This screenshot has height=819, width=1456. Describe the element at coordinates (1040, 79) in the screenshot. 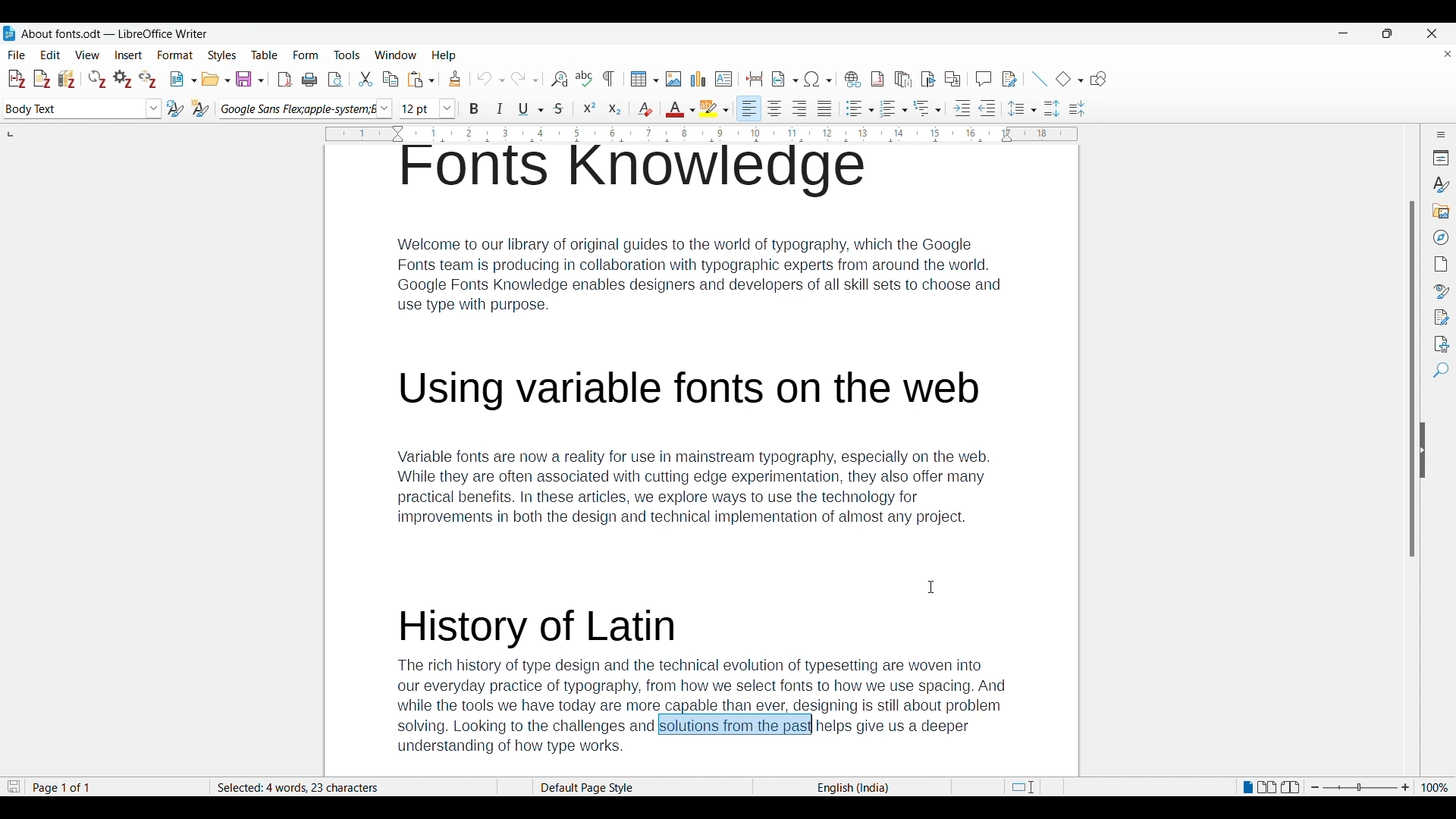

I see `Insert line` at that location.